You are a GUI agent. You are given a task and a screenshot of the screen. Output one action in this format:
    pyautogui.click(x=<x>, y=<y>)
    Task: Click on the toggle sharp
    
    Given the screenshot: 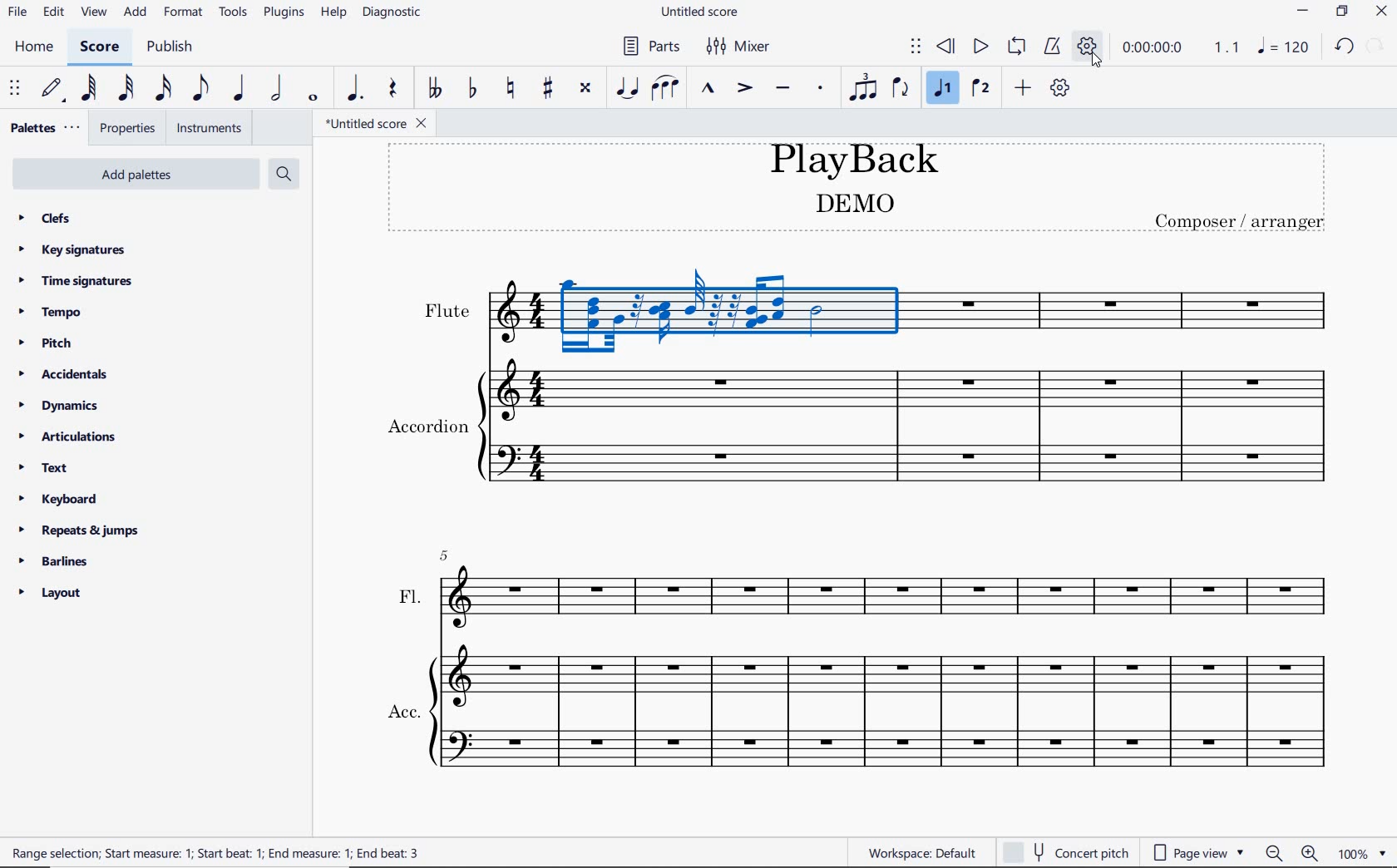 What is the action you would take?
    pyautogui.click(x=545, y=87)
    